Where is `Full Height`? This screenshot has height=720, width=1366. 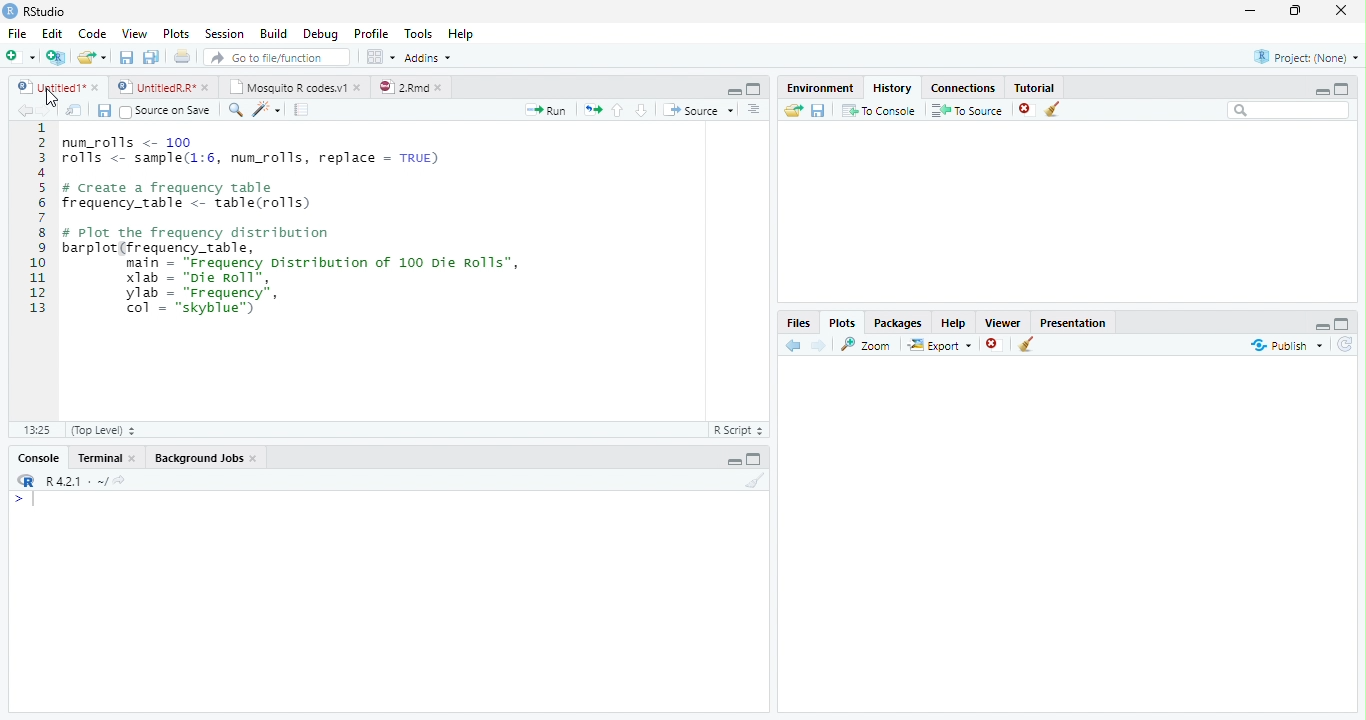 Full Height is located at coordinates (1344, 324).